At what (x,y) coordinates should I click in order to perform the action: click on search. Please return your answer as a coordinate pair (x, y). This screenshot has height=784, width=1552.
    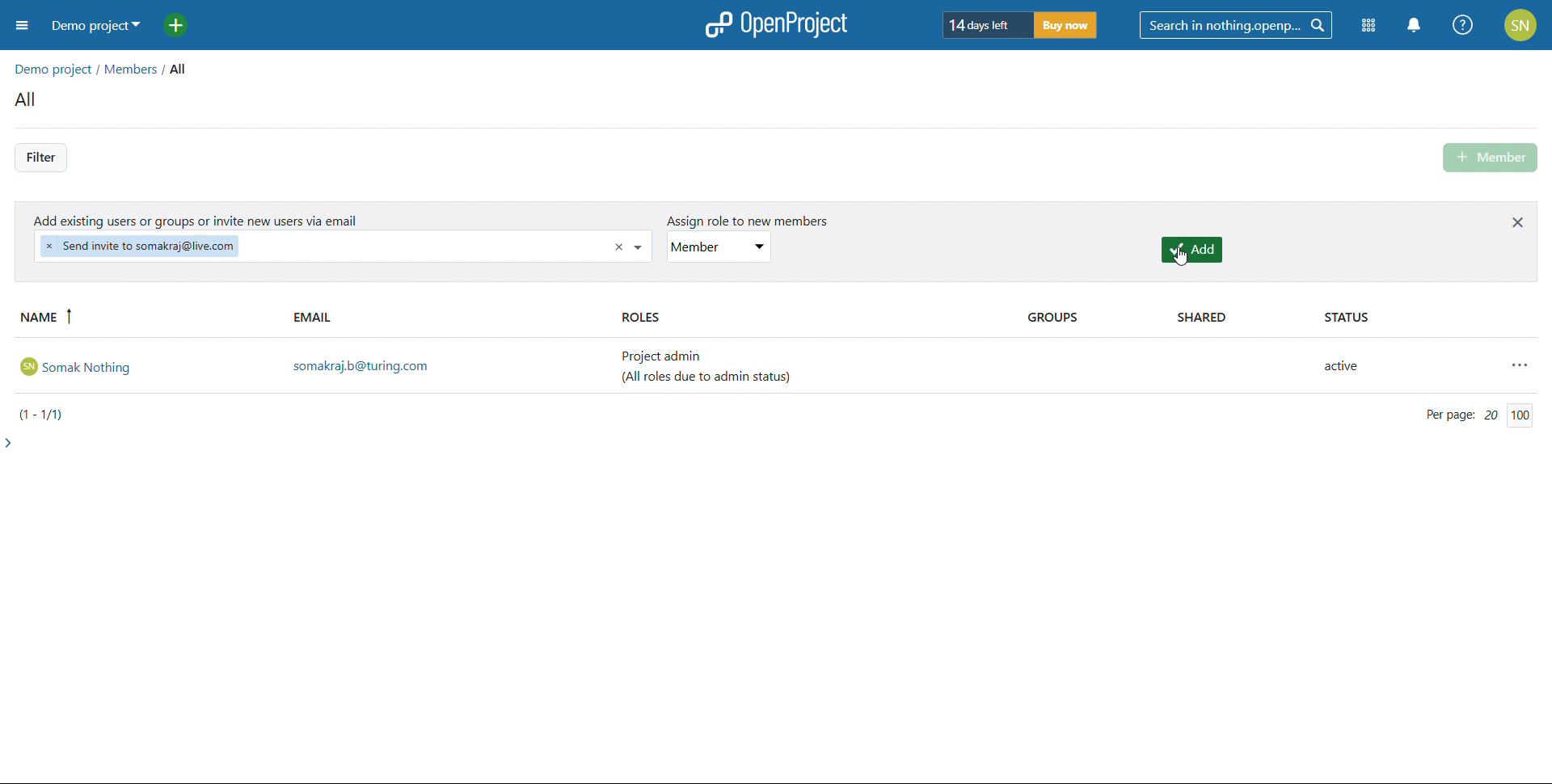
    Looking at the image, I should click on (1236, 25).